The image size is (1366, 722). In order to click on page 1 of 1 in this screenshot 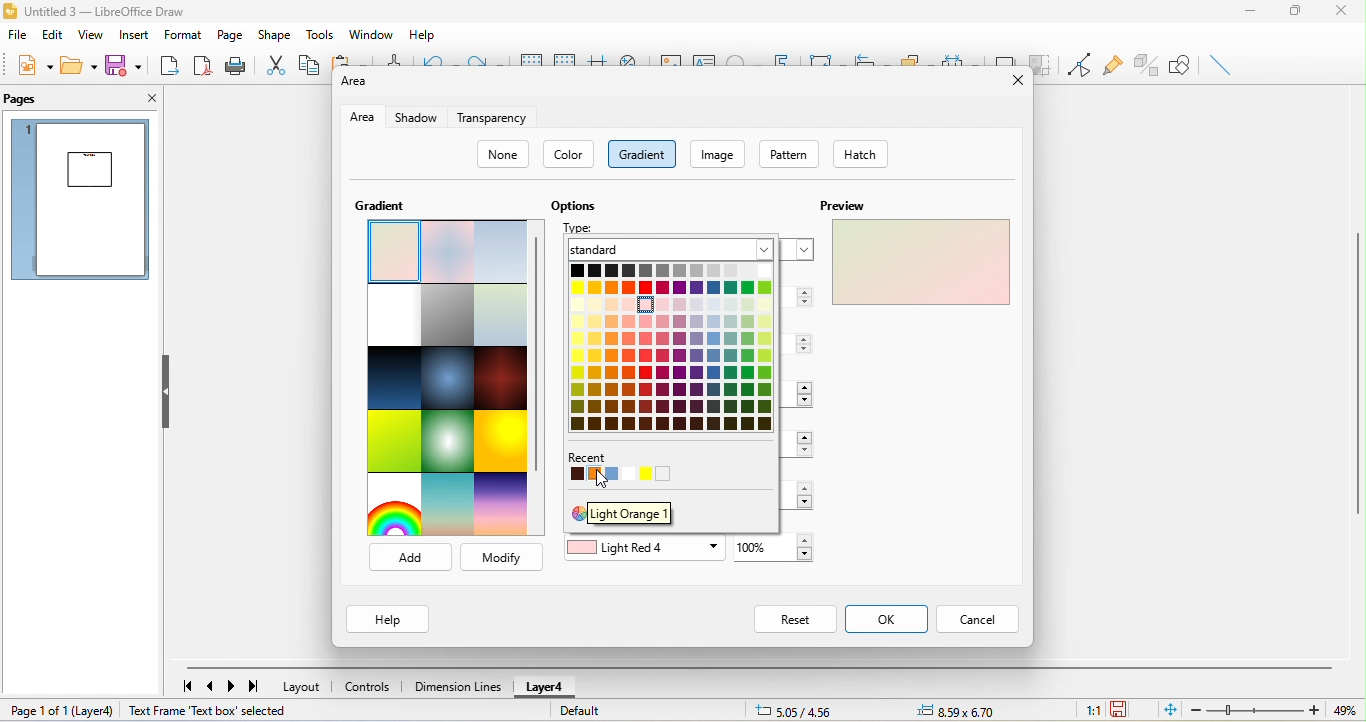, I will do `click(37, 712)`.